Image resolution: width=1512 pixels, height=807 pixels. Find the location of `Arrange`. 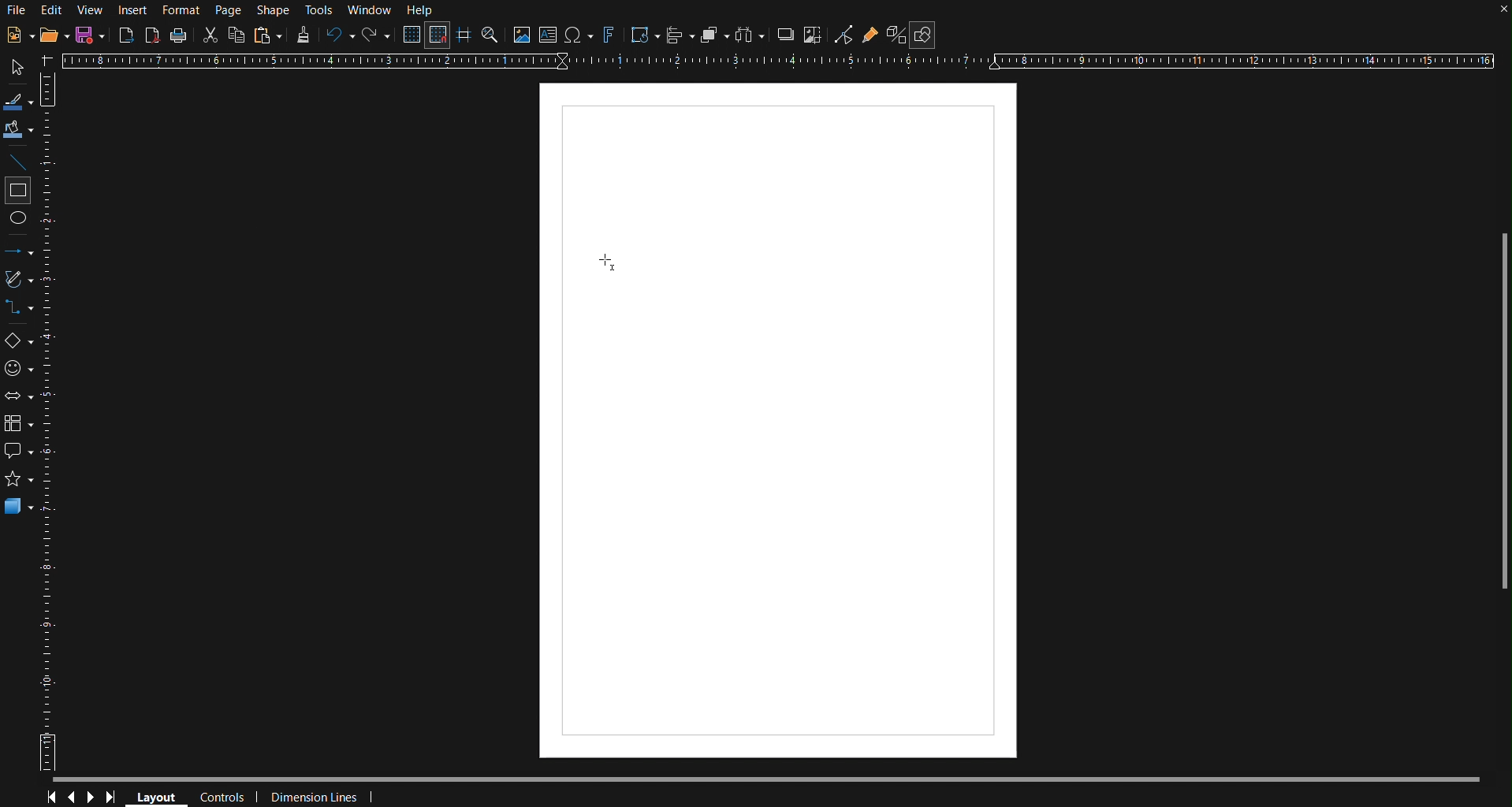

Arrange is located at coordinates (715, 34).